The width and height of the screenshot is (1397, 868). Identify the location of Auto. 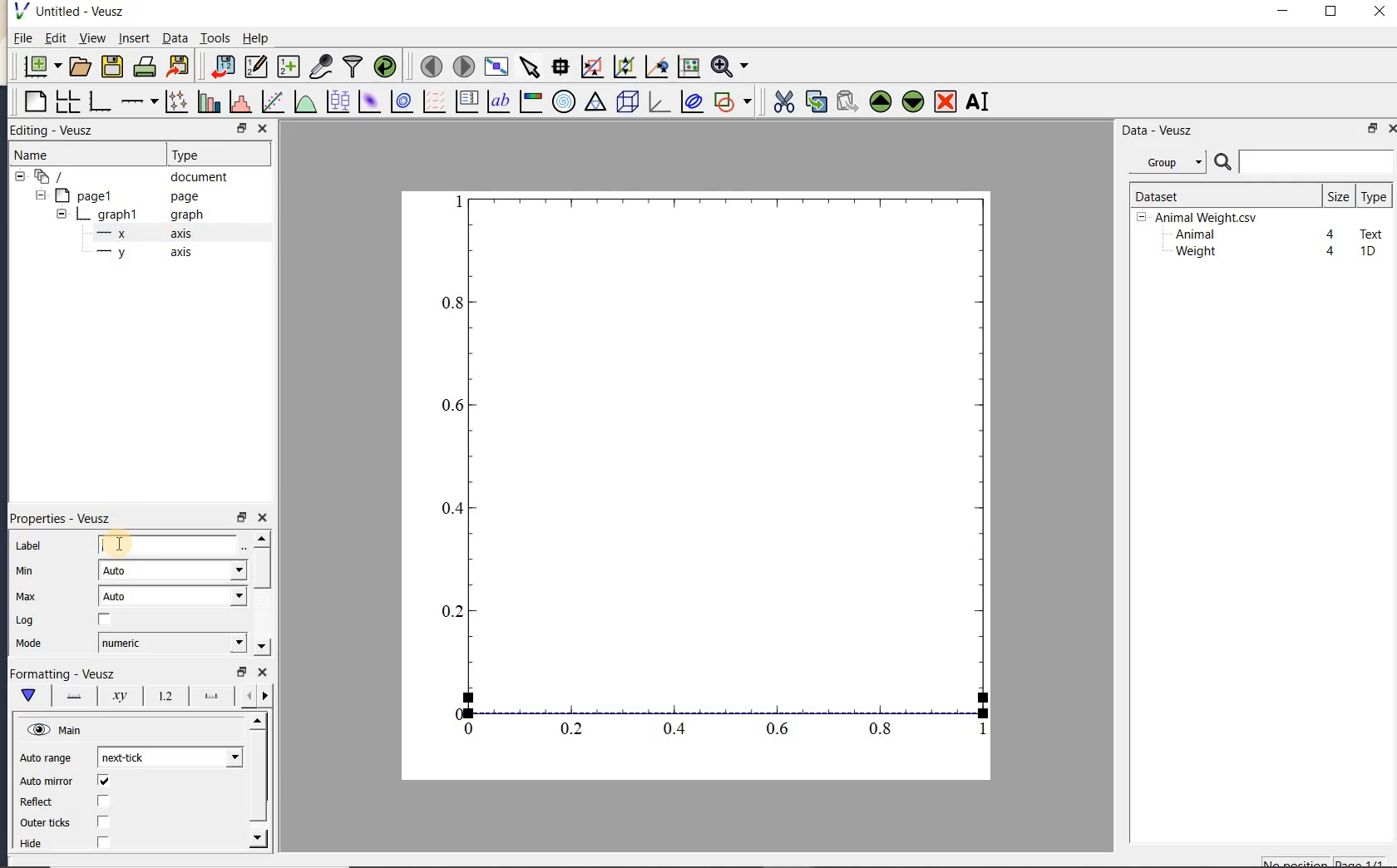
(173, 596).